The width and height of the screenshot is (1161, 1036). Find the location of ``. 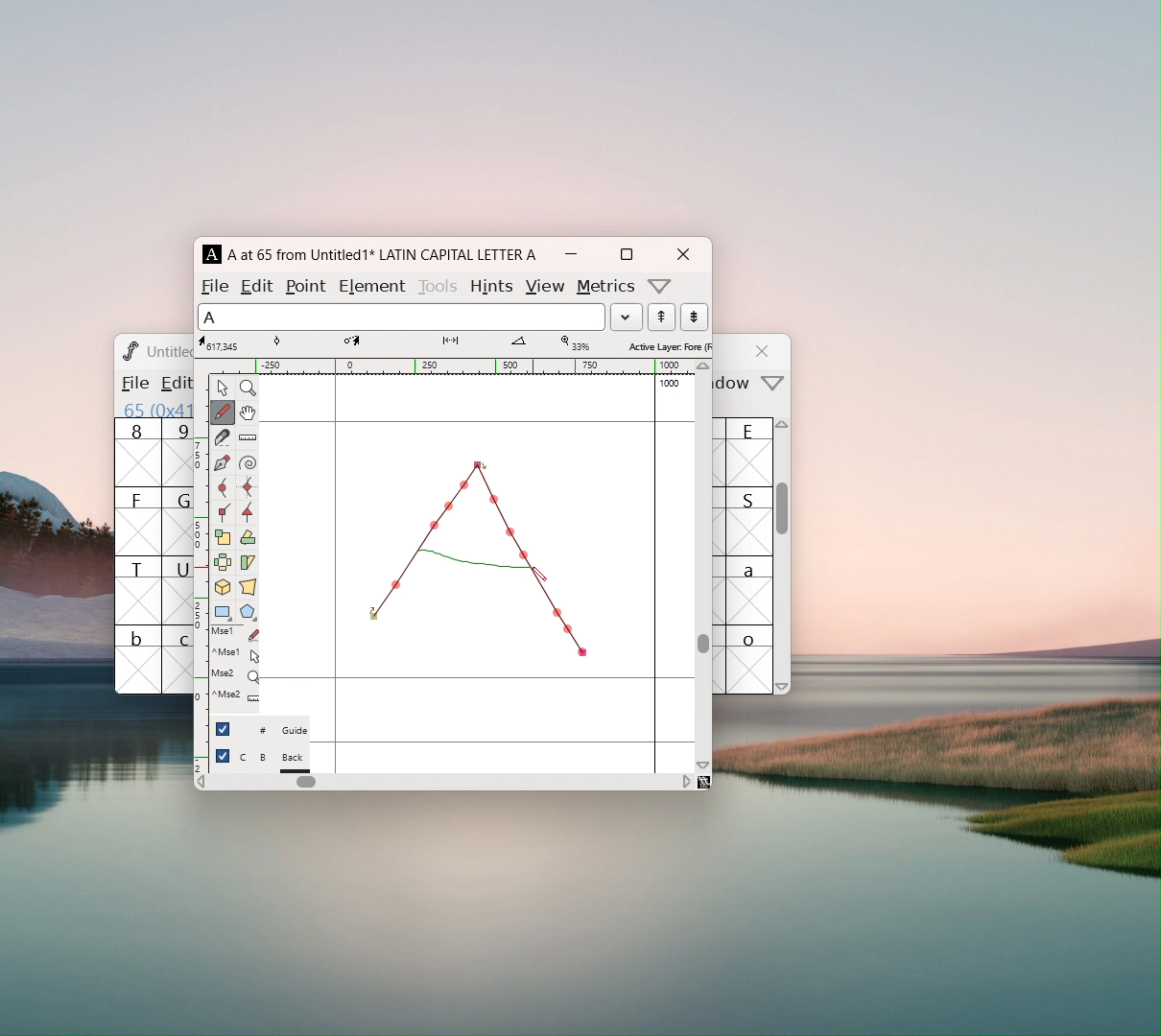

 is located at coordinates (173, 385).